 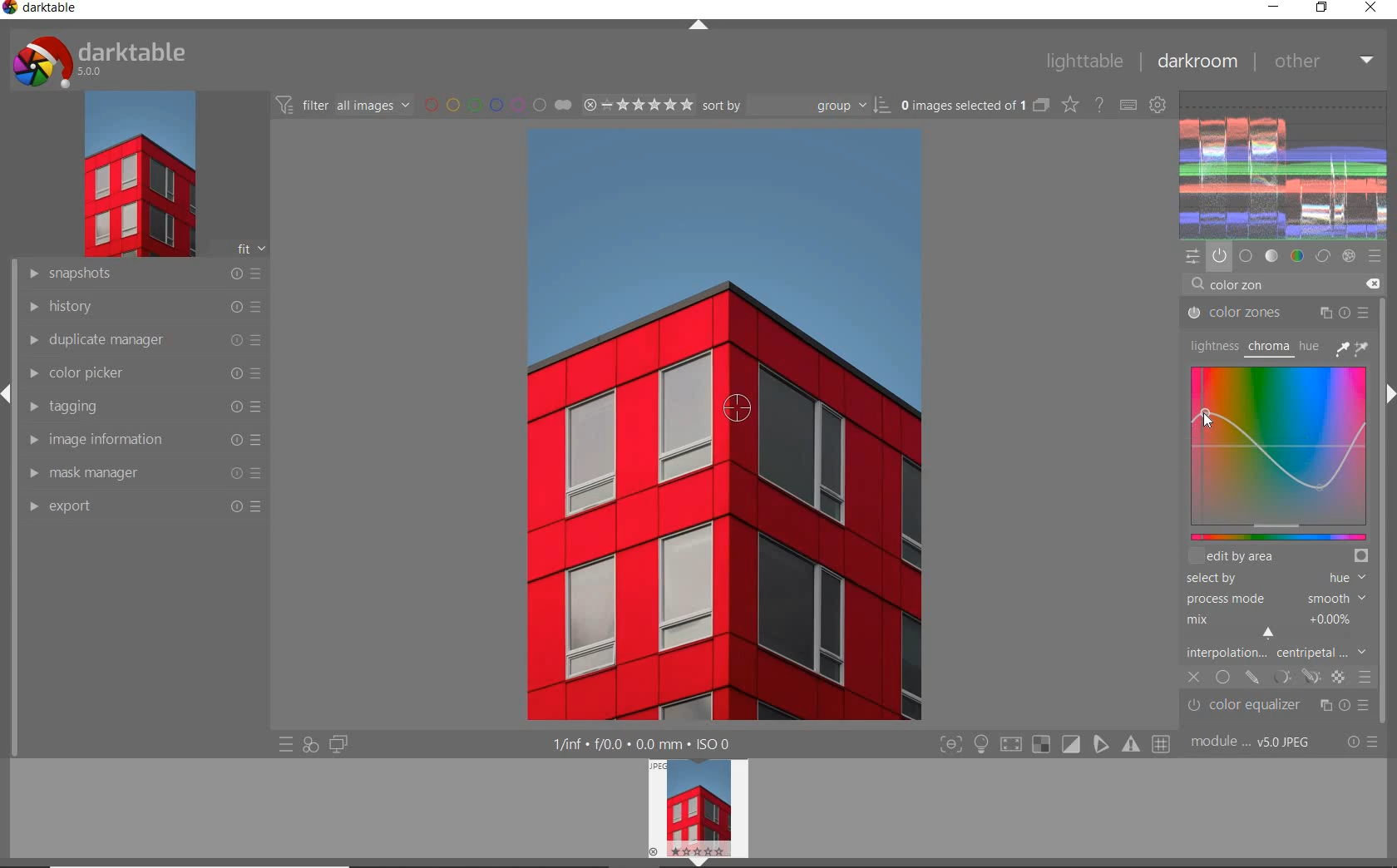 What do you see at coordinates (1255, 743) in the screenshot?
I see `module order` at bounding box center [1255, 743].